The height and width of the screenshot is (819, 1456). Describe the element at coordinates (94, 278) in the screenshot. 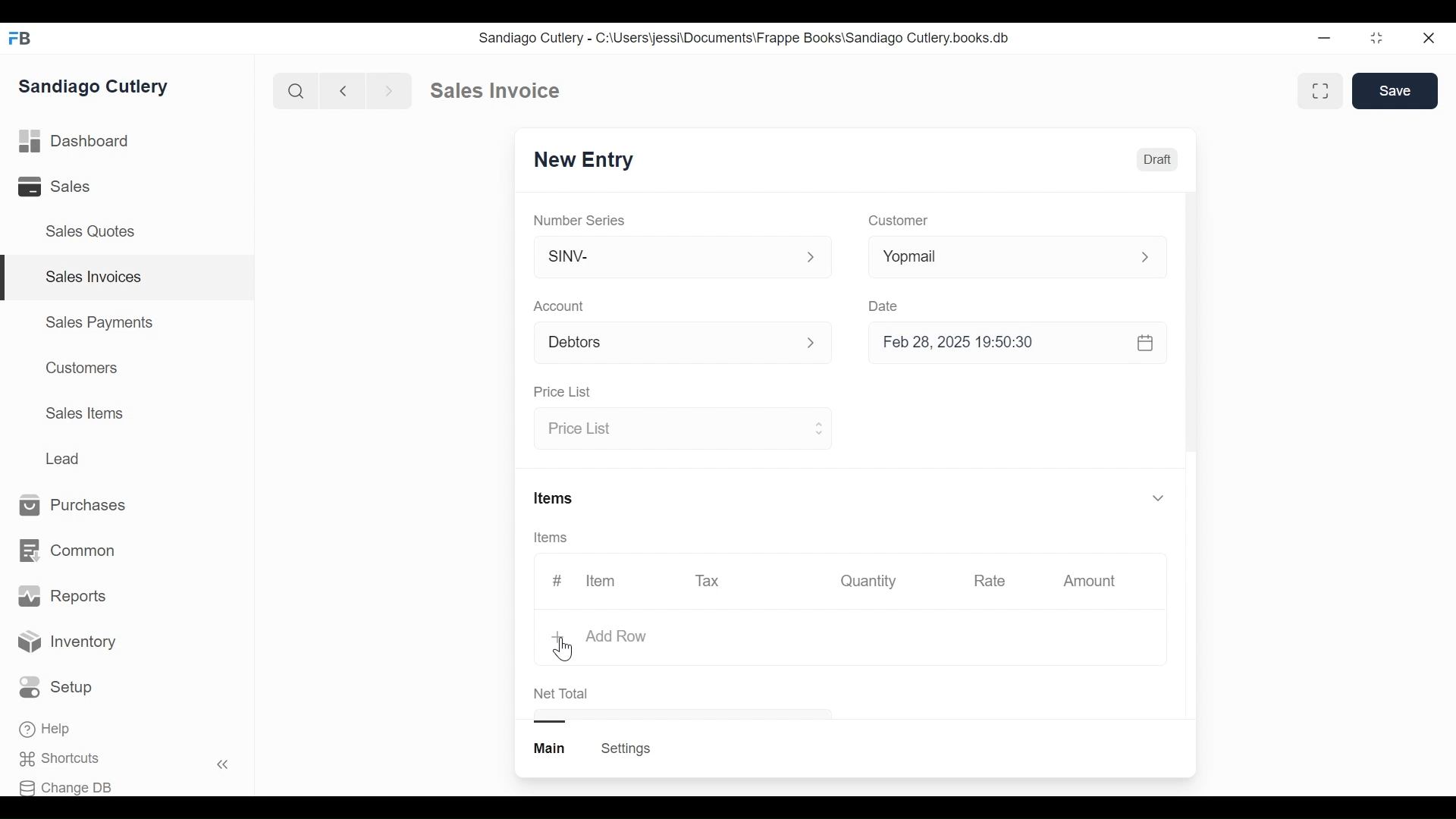

I see `Sales Invoices` at that location.